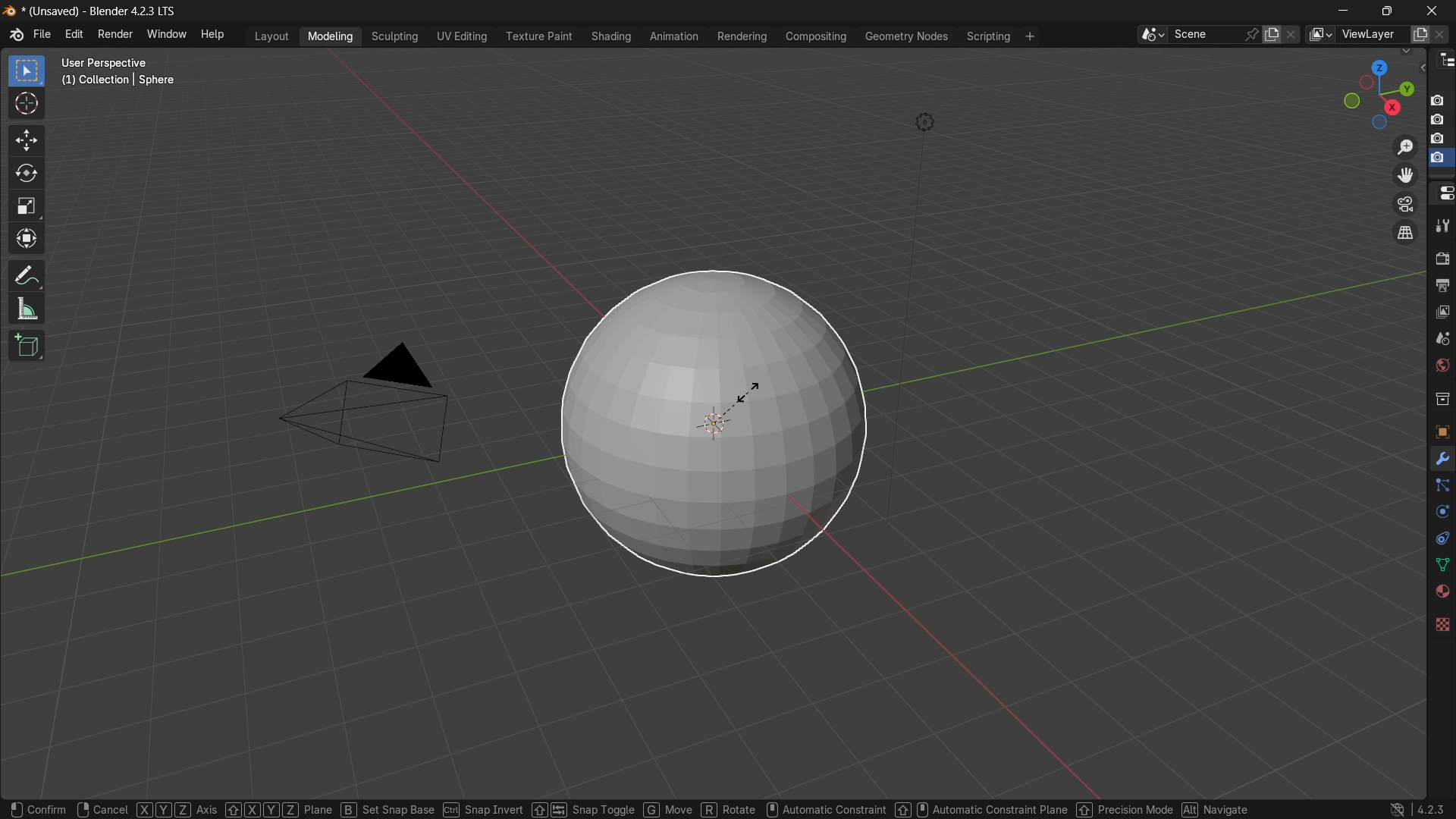 Image resolution: width=1456 pixels, height=819 pixels. I want to click on close app, so click(1435, 10).